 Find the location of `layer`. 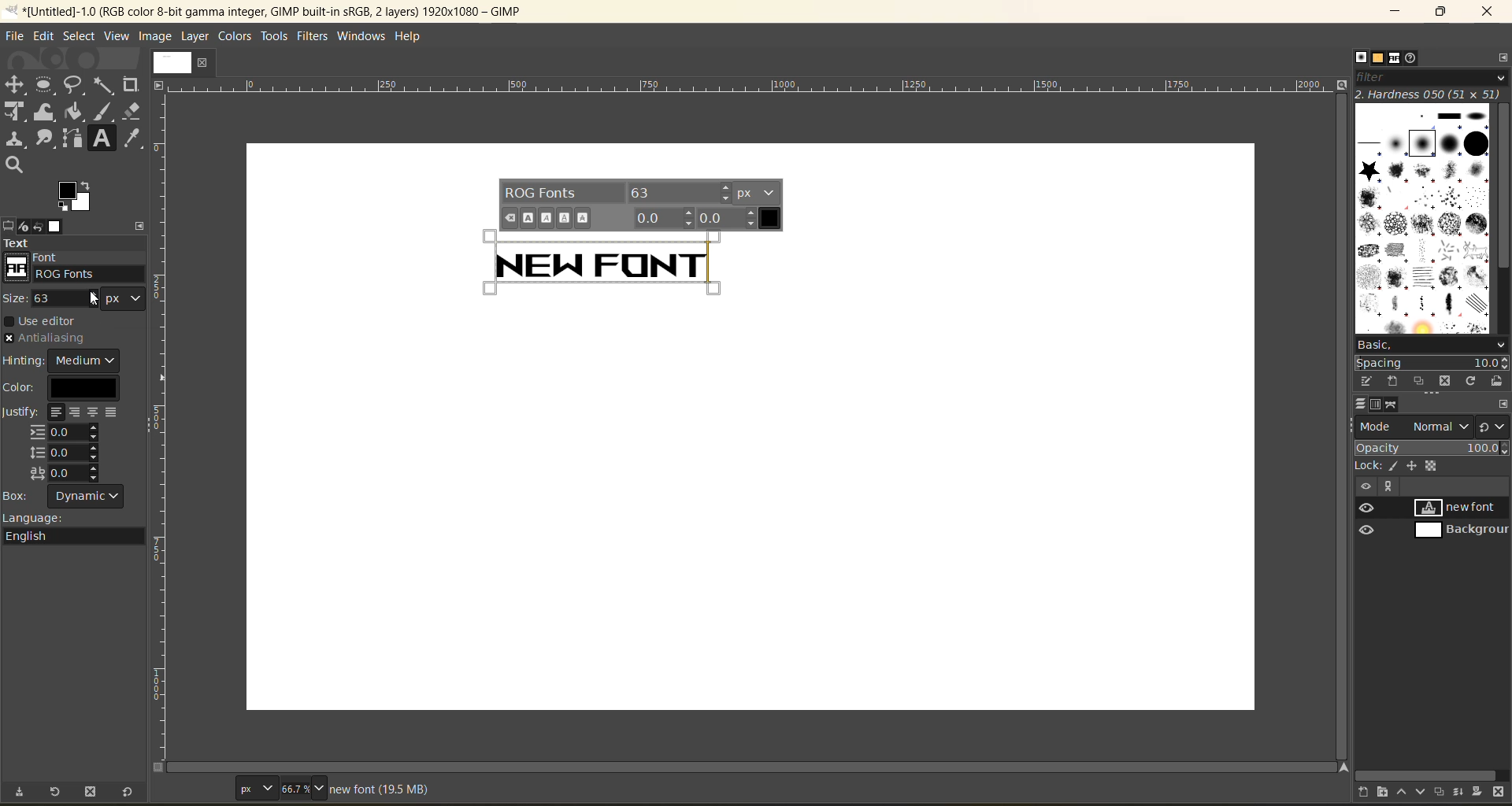

layer is located at coordinates (196, 36).